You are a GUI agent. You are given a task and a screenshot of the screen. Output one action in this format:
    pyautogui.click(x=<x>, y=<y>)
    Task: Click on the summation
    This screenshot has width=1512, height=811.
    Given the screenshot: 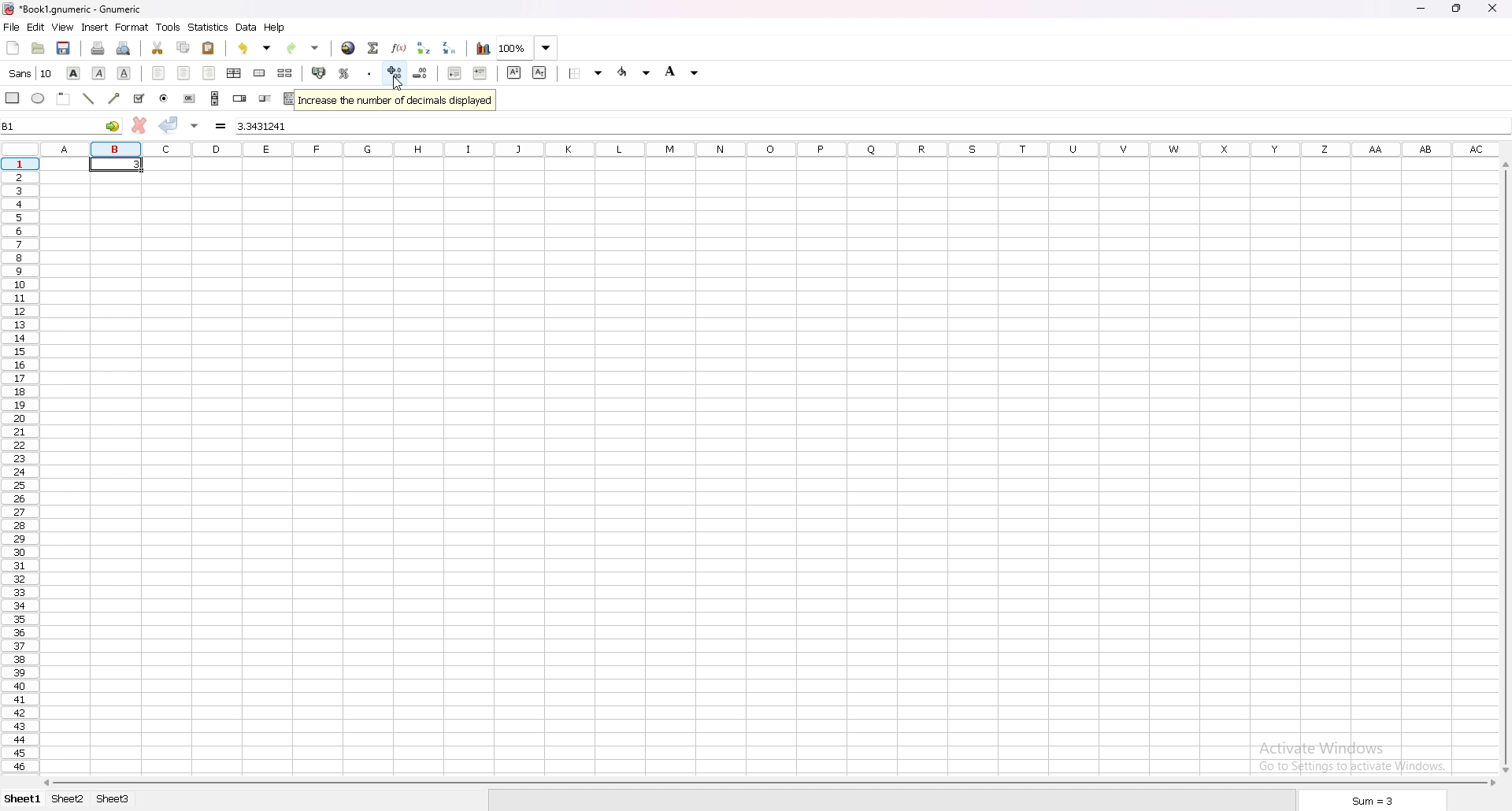 What is the action you would take?
    pyautogui.click(x=375, y=48)
    